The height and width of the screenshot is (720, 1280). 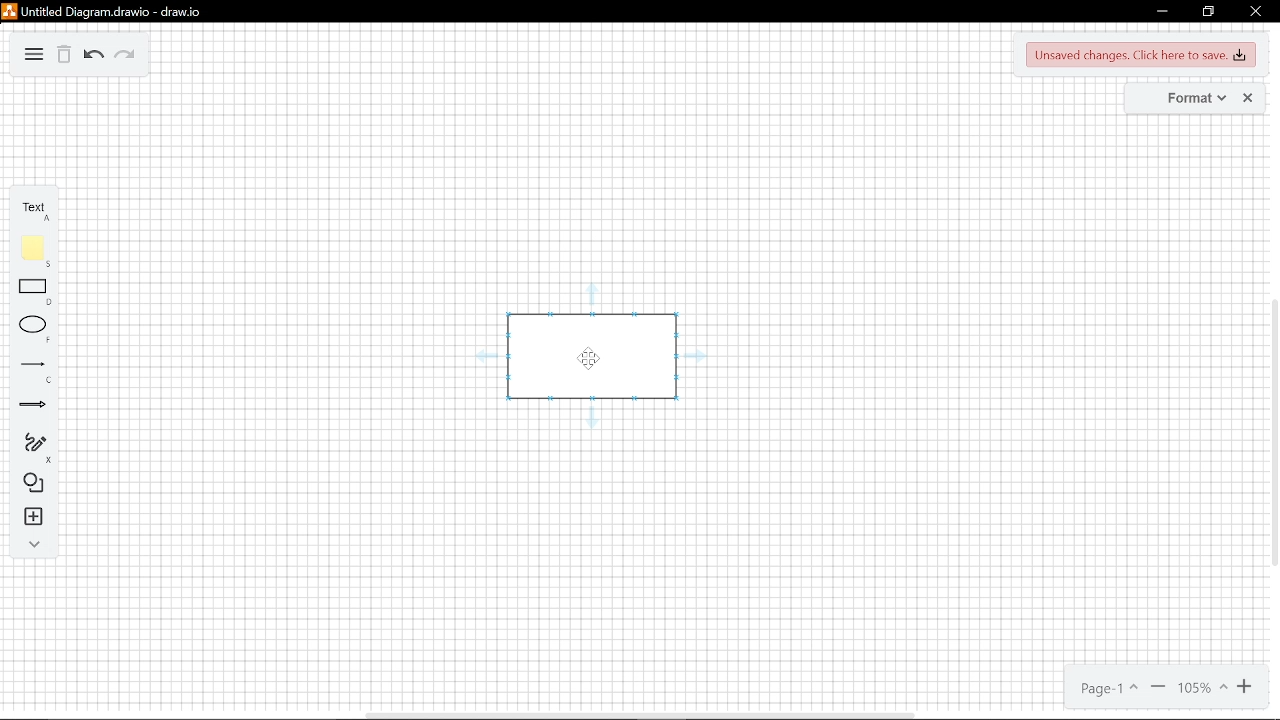 What do you see at coordinates (99, 12) in the screenshot?
I see `Untitled Diagram drawio - draw.io` at bounding box center [99, 12].